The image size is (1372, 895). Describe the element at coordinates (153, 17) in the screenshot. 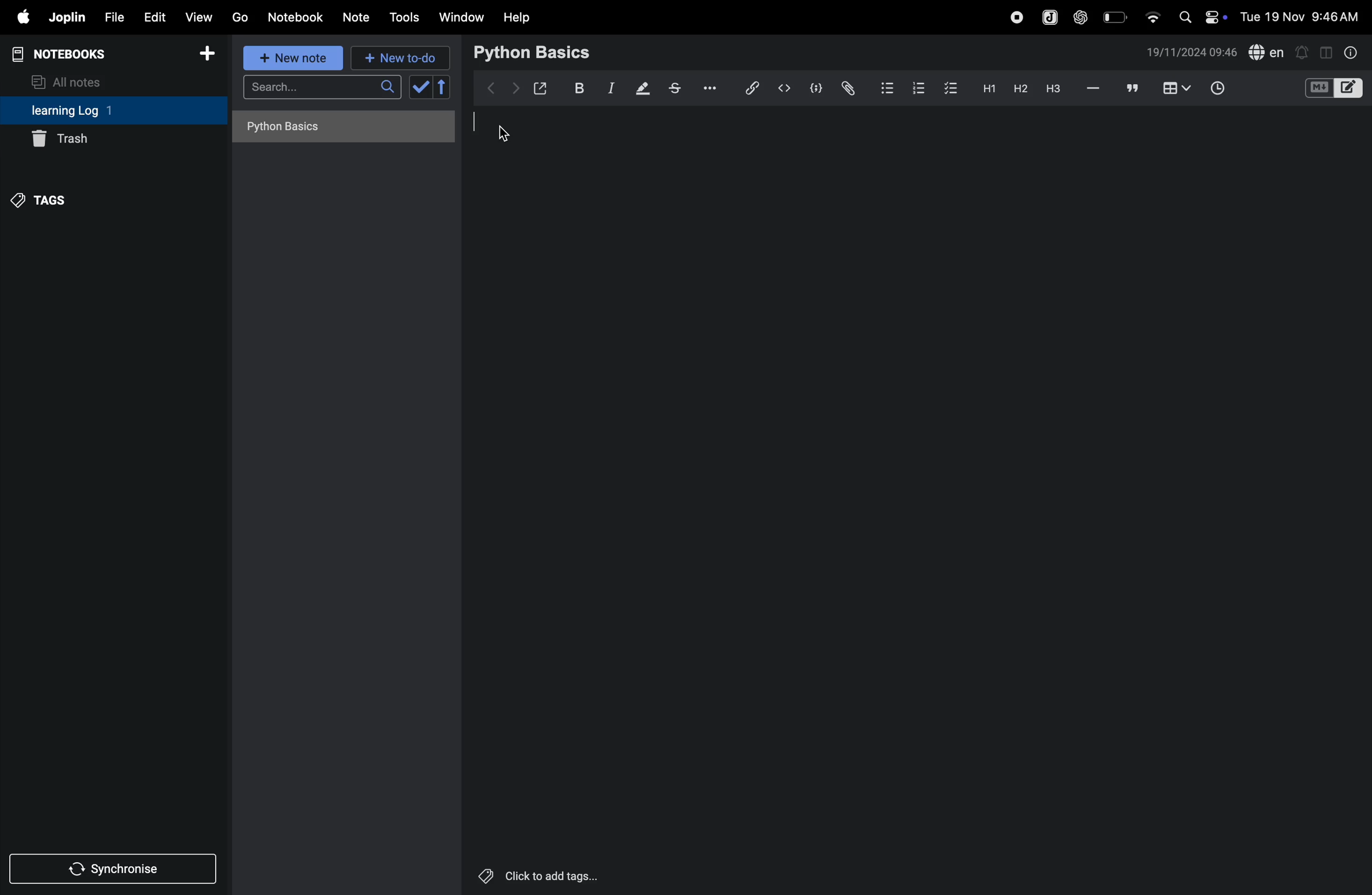

I see `edit` at that location.